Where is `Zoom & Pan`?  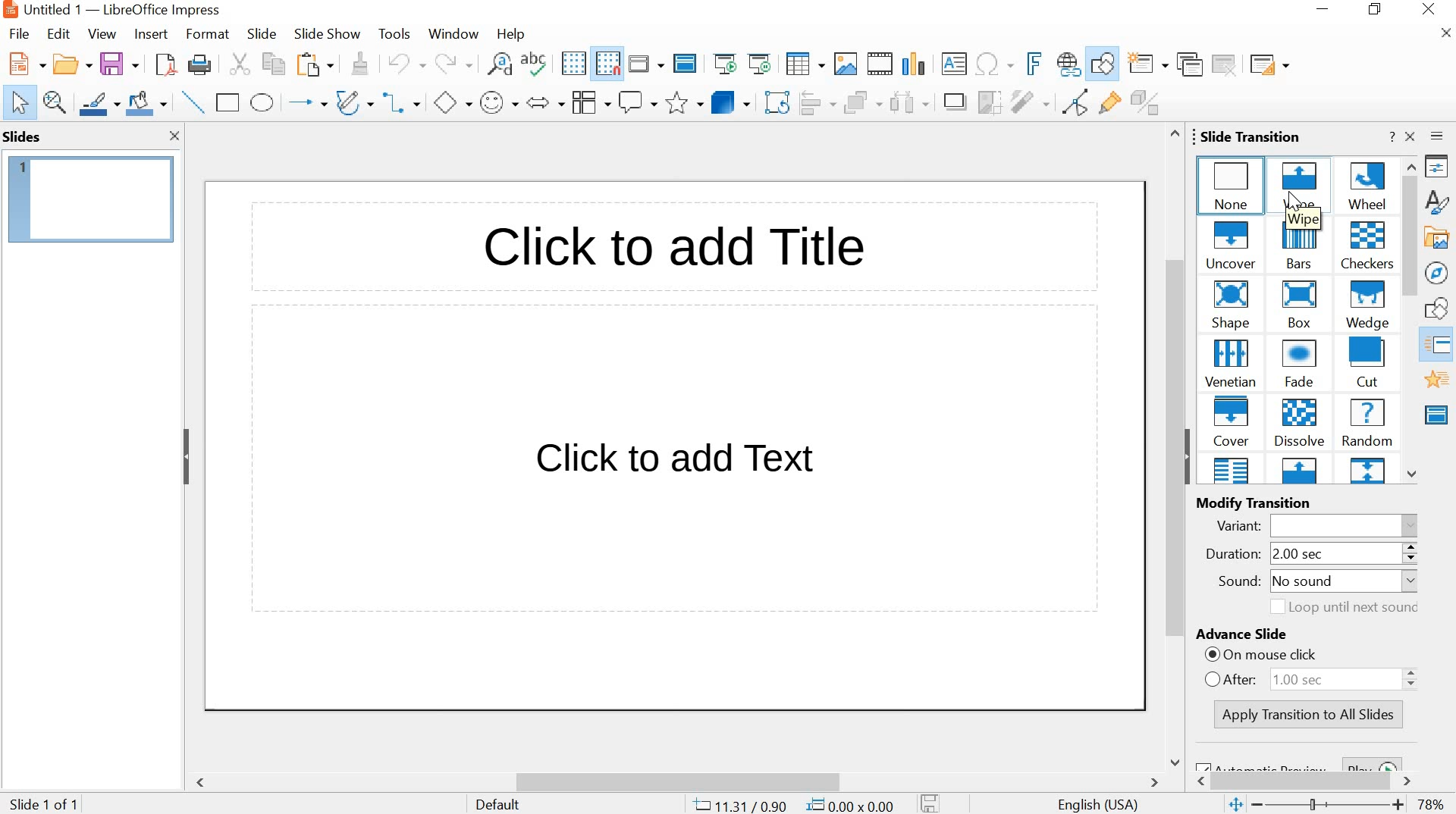 Zoom & Pan is located at coordinates (55, 103).